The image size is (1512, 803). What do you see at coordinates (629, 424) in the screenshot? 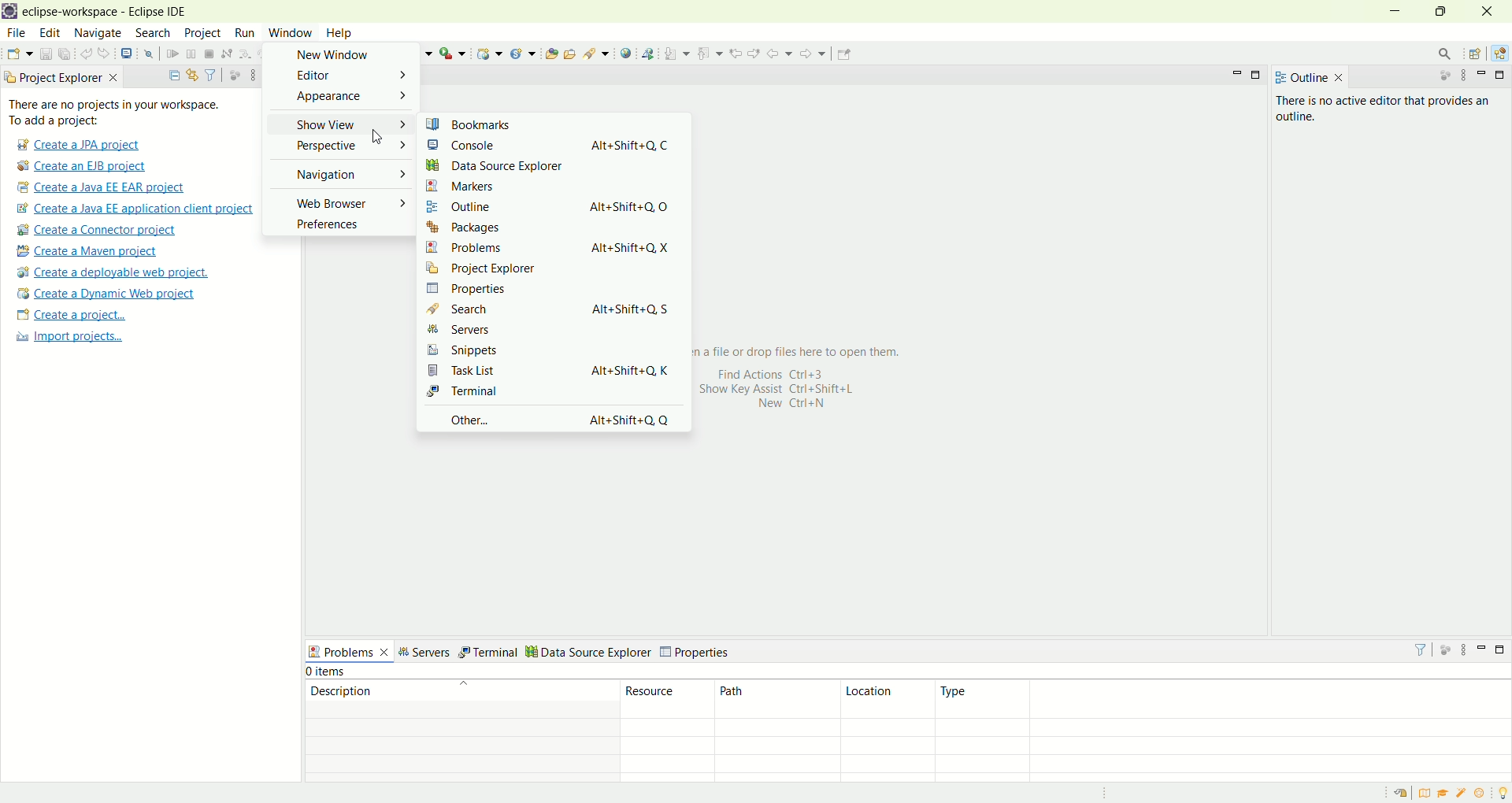
I see `Alt+shift+Q,Q` at bounding box center [629, 424].